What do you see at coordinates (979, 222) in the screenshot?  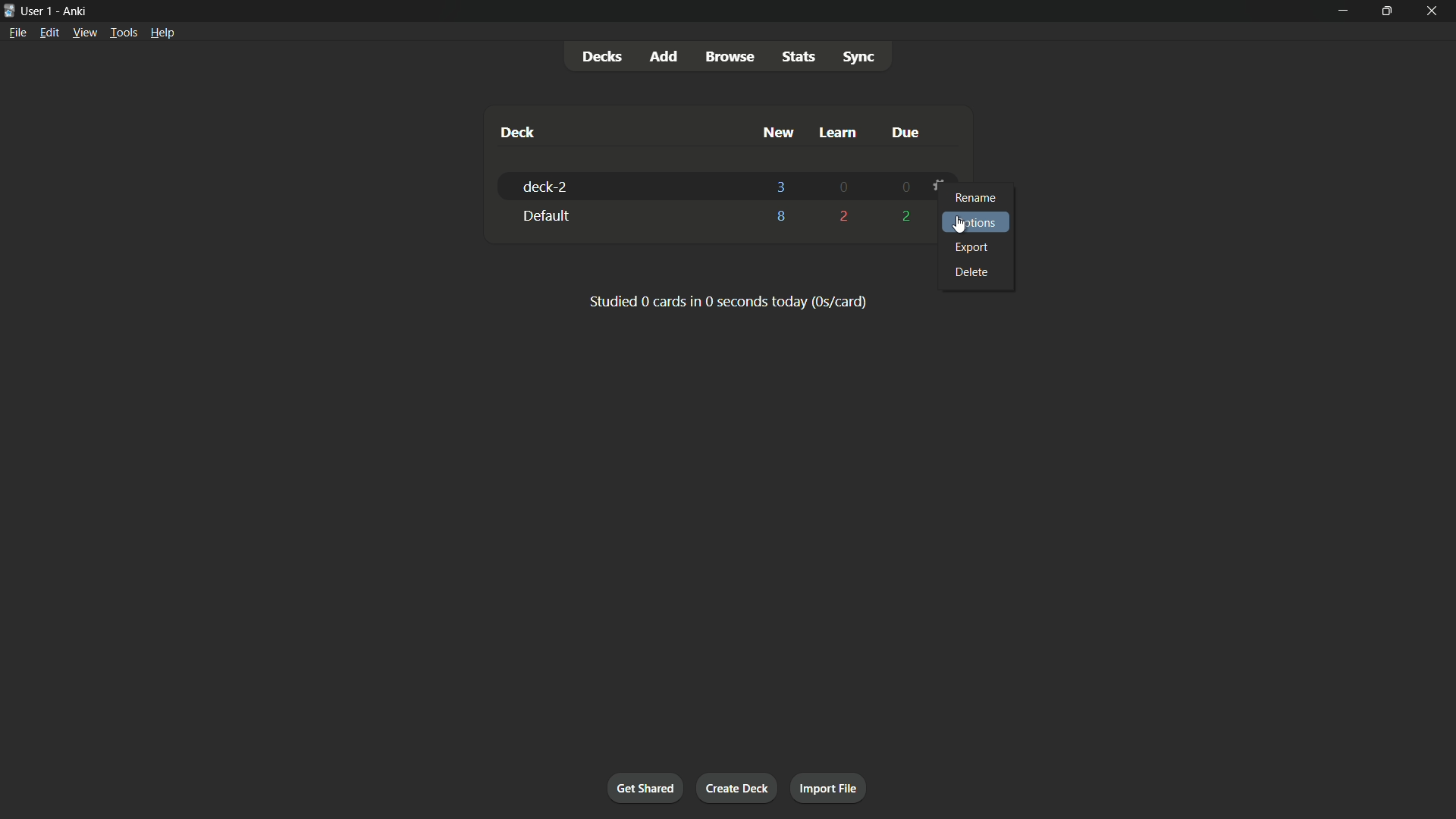 I see `options` at bounding box center [979, 222].